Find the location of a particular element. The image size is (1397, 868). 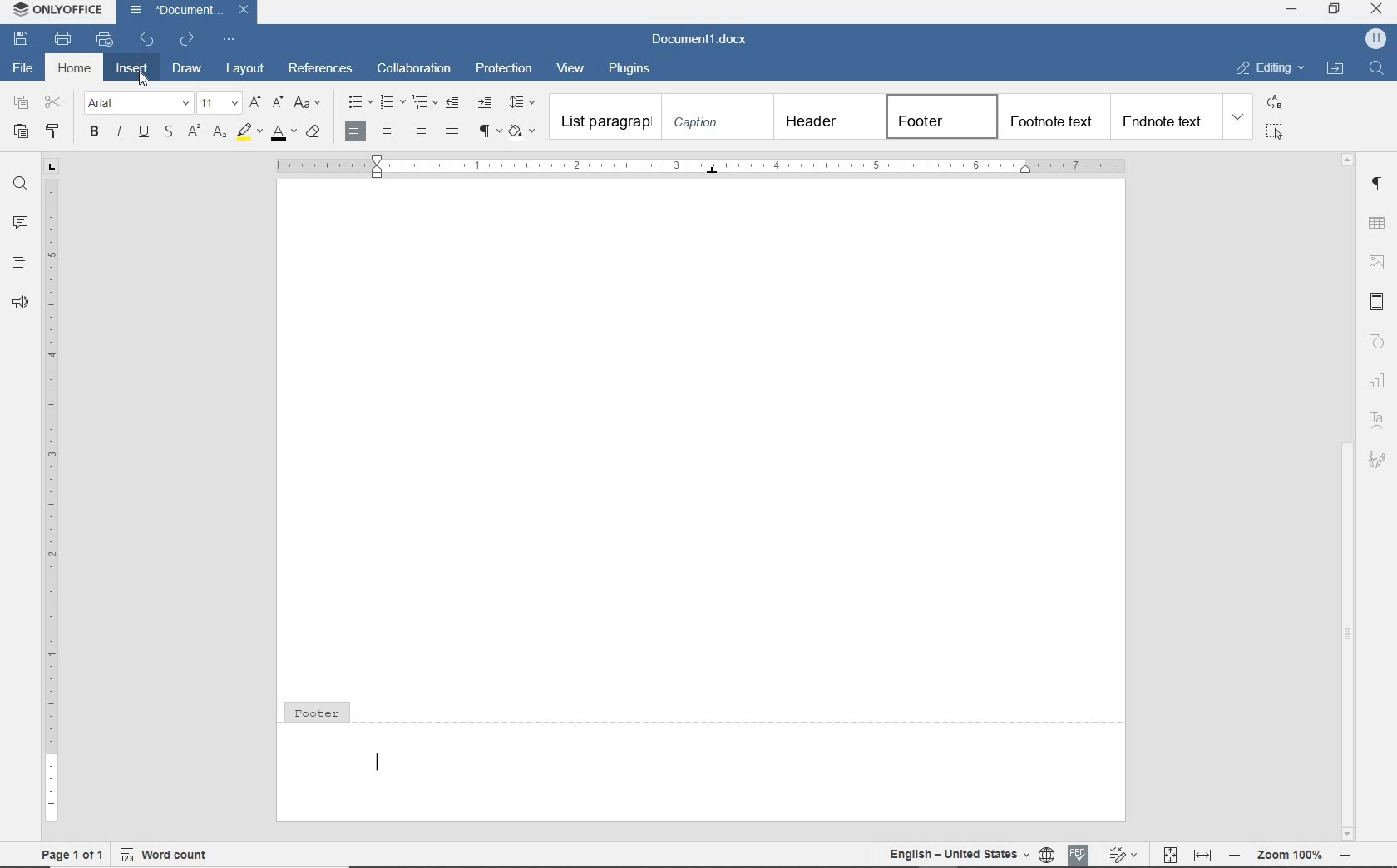

SUPERSCRIPT is located at coordinates (190, 132).